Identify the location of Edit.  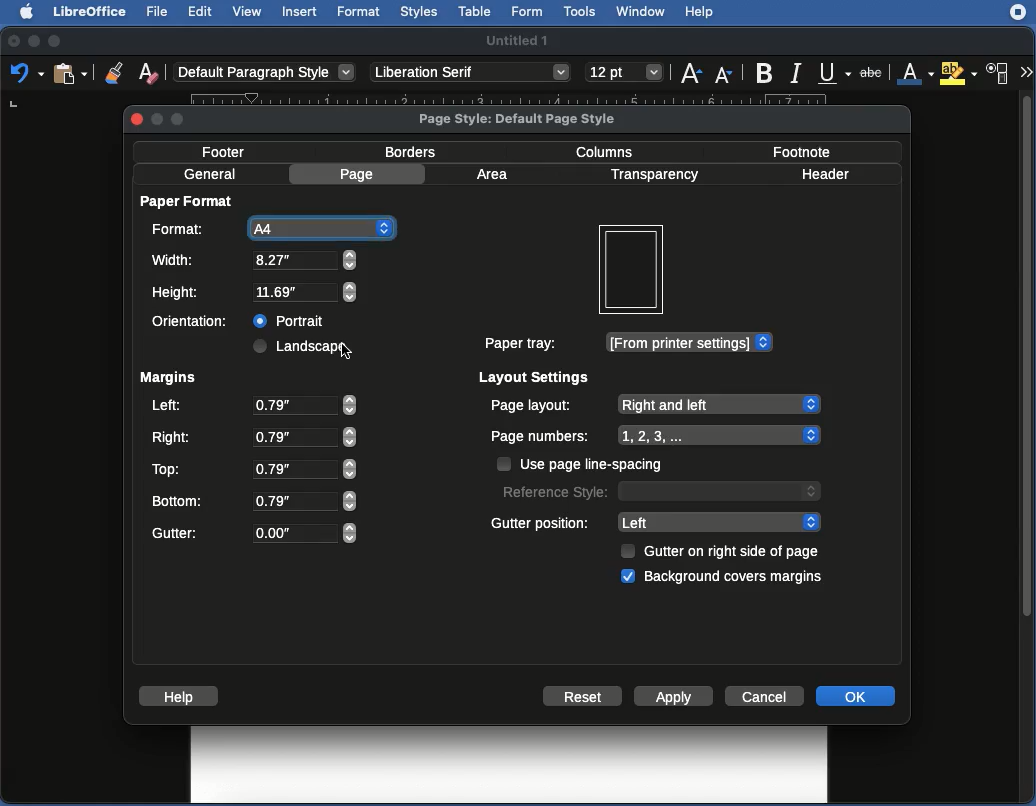
(200, 12).